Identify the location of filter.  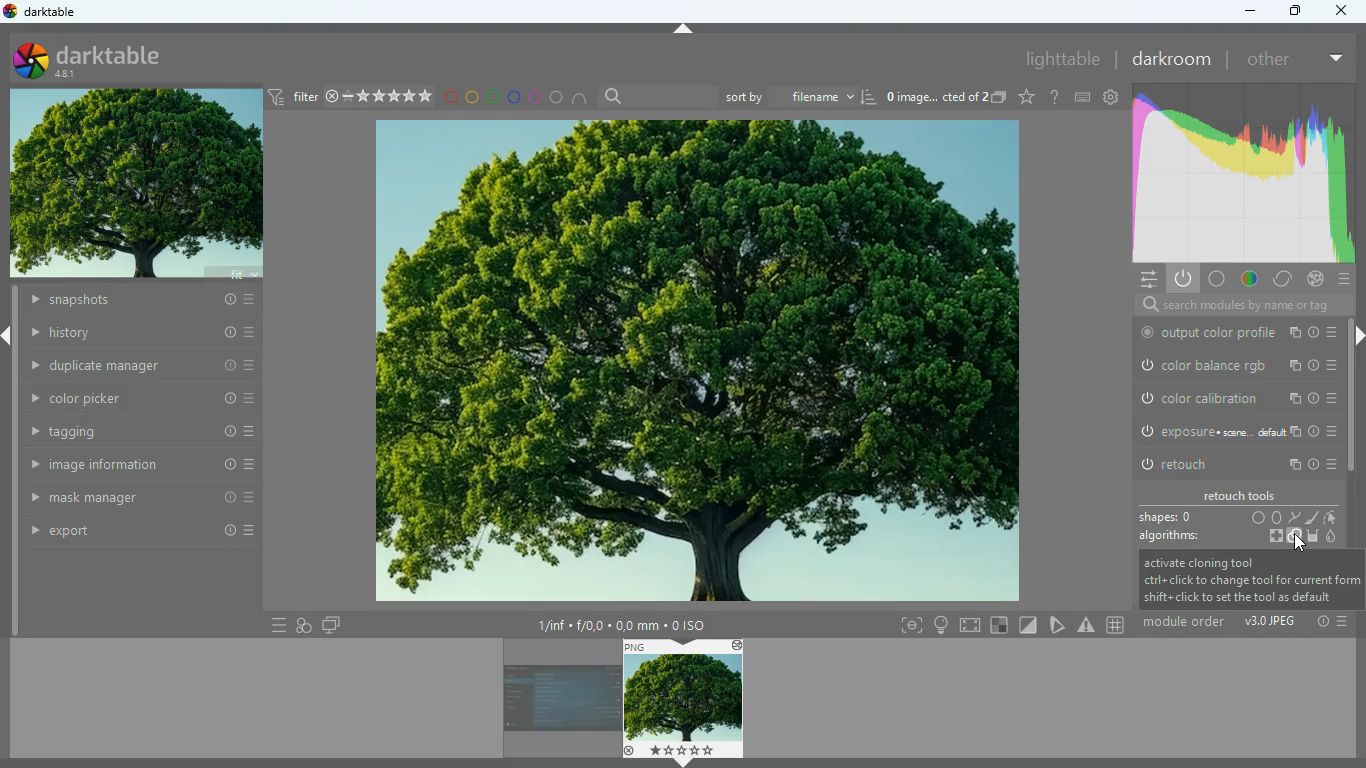
(351, 99).